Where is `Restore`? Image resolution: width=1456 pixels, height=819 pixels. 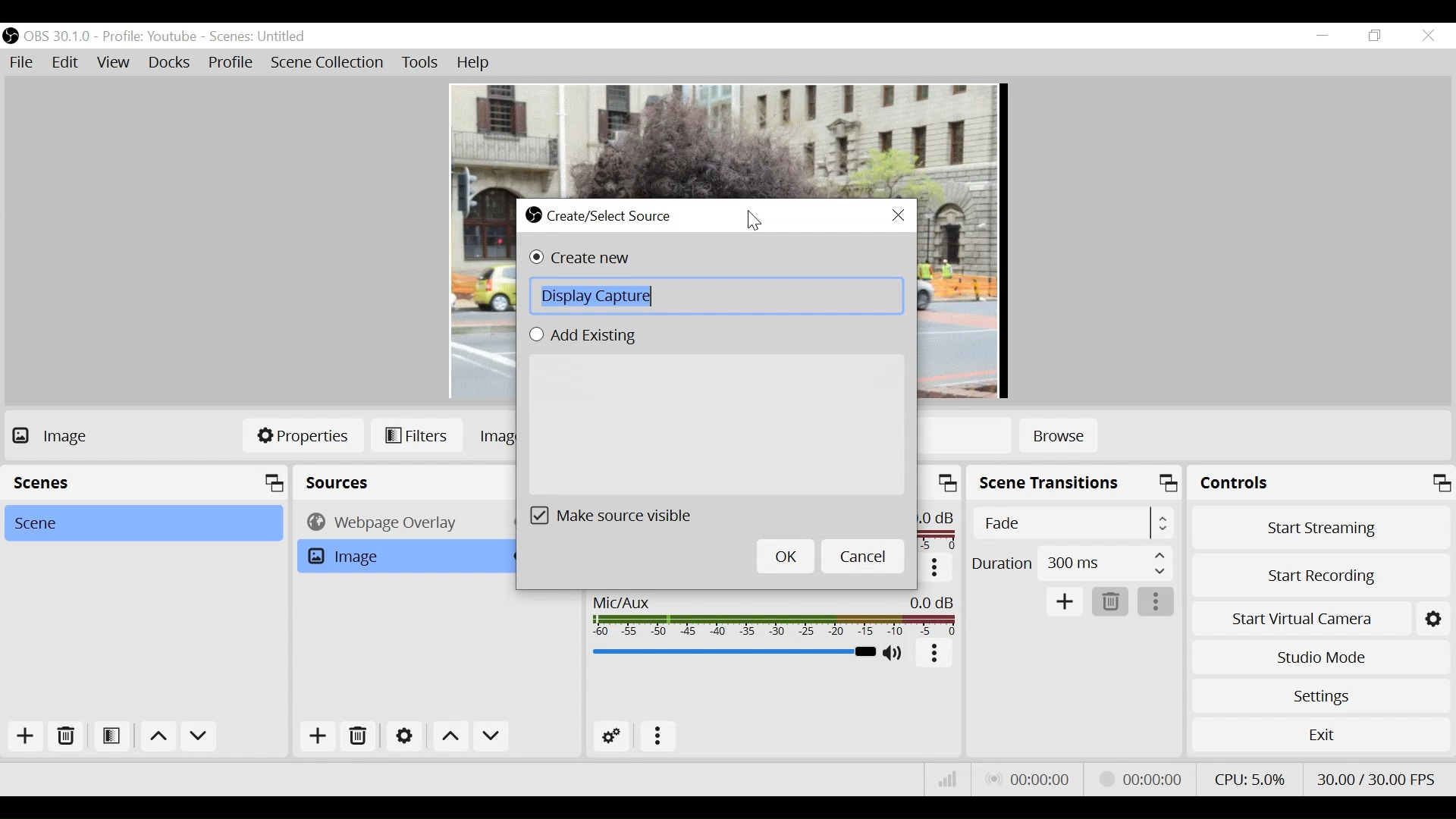 Restore is located at coordinates (1375, 36).